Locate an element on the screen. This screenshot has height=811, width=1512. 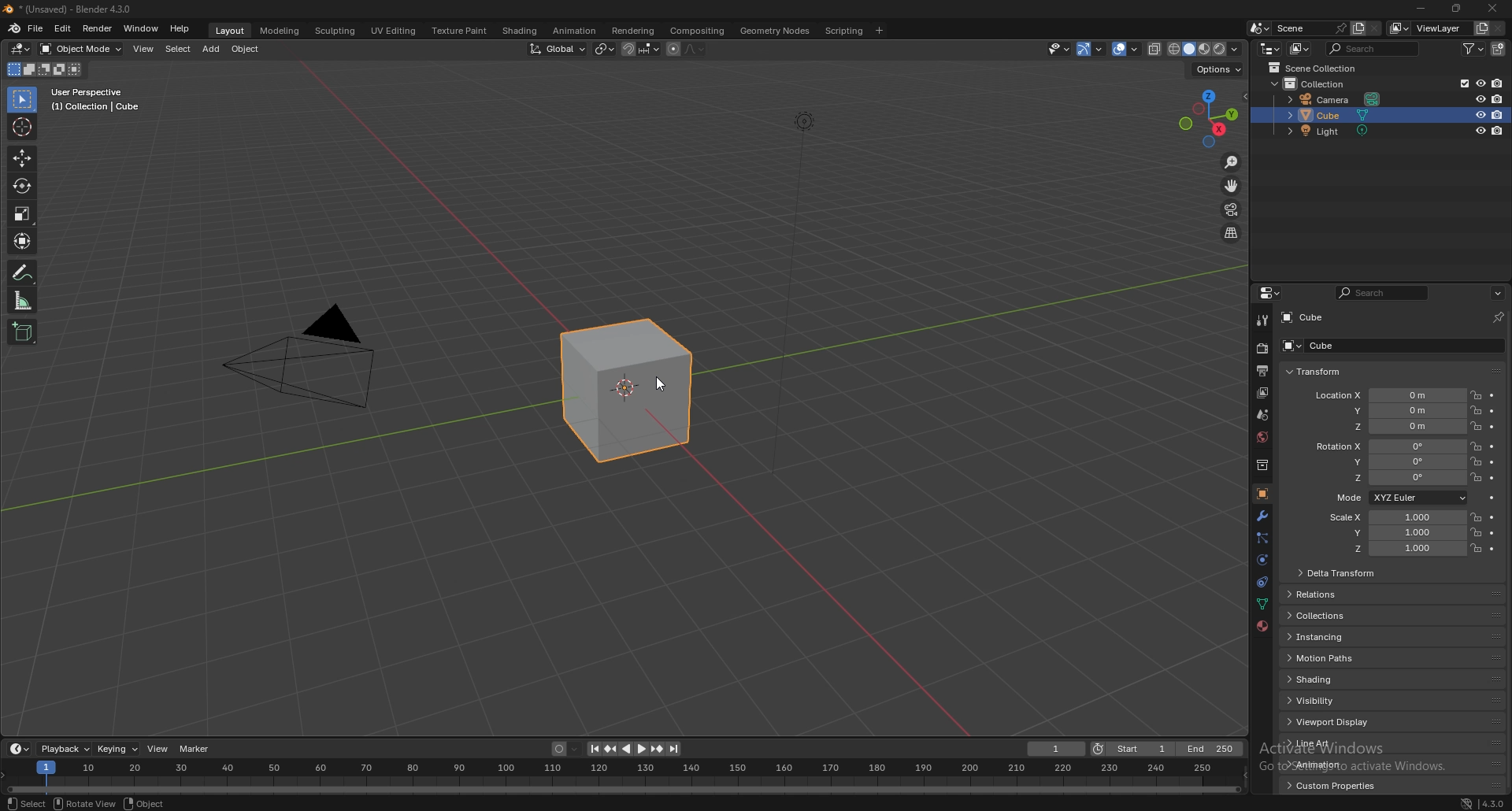
search is located at coordinates (1380, 293).